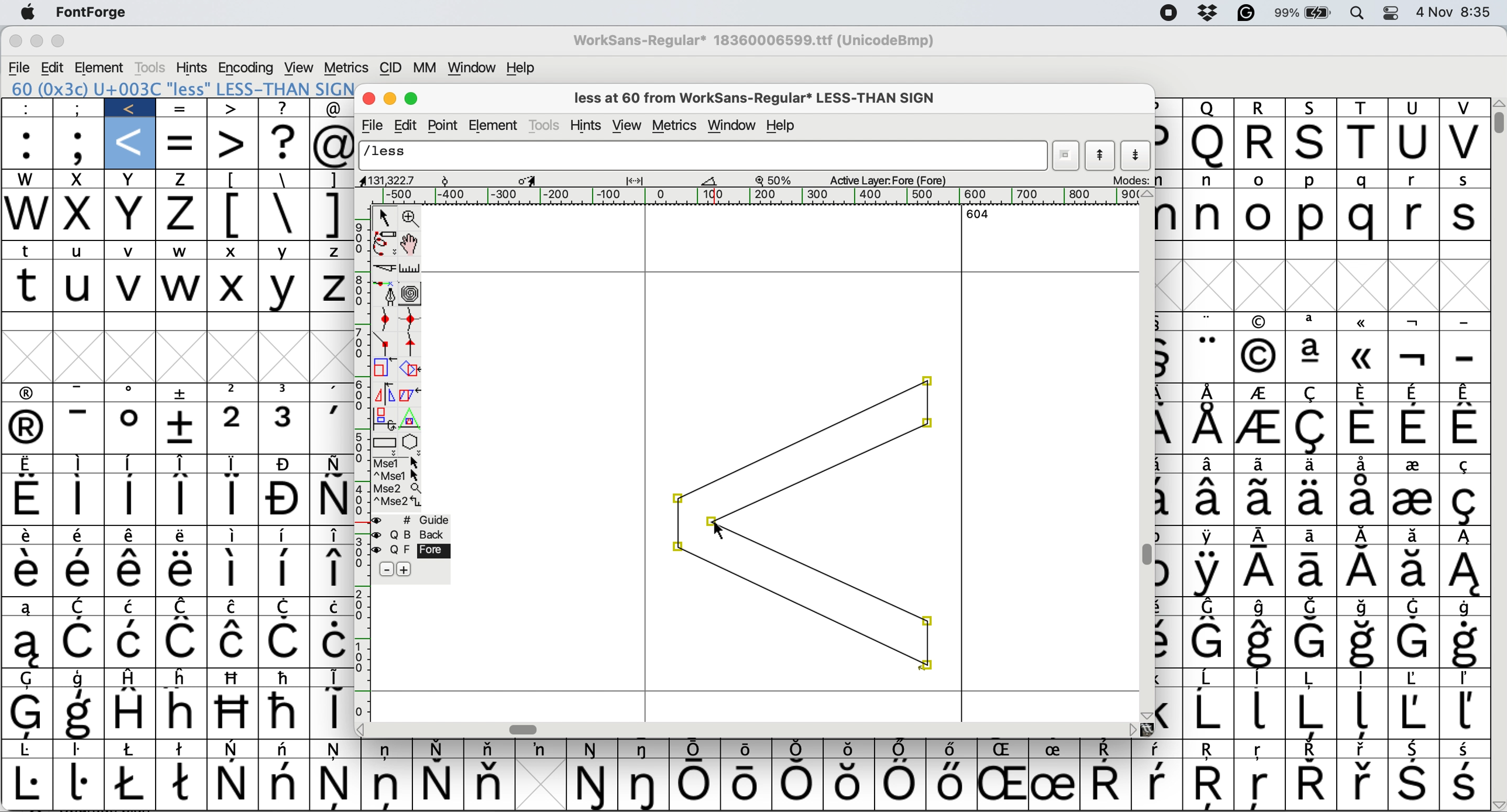 The image size is (1507, 812). What do you see at coordinates (133, 607) in the screenshot?
I see `Symbol` at bounding box center [133, 607].